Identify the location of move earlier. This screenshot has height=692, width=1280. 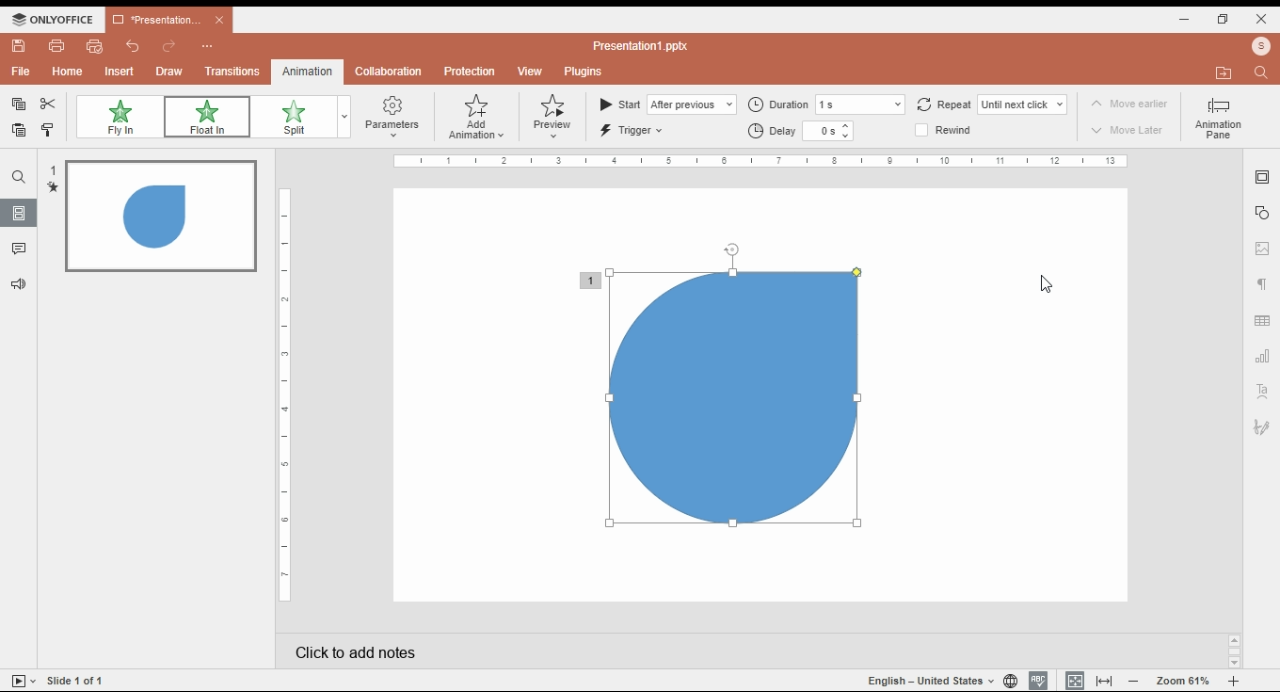
(1128, 105).